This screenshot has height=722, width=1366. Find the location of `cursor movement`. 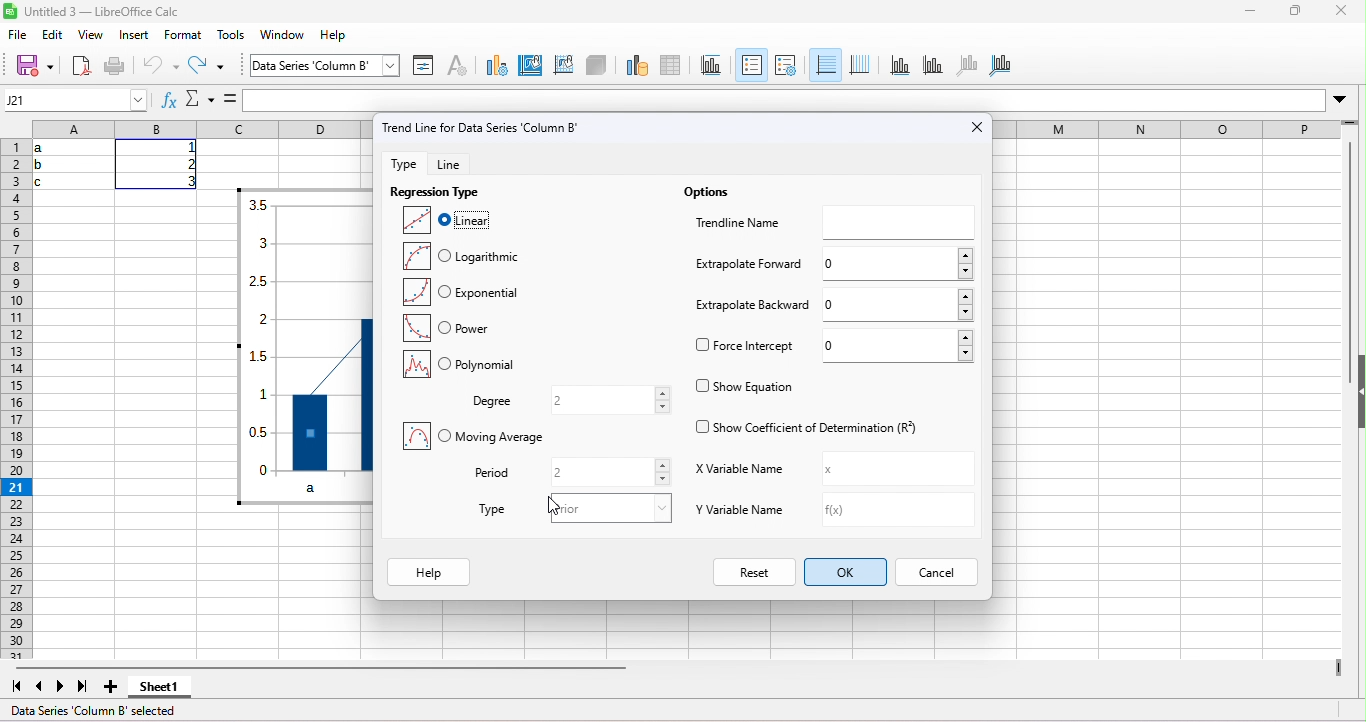

cursor movement is located at coordinates (553, 503).